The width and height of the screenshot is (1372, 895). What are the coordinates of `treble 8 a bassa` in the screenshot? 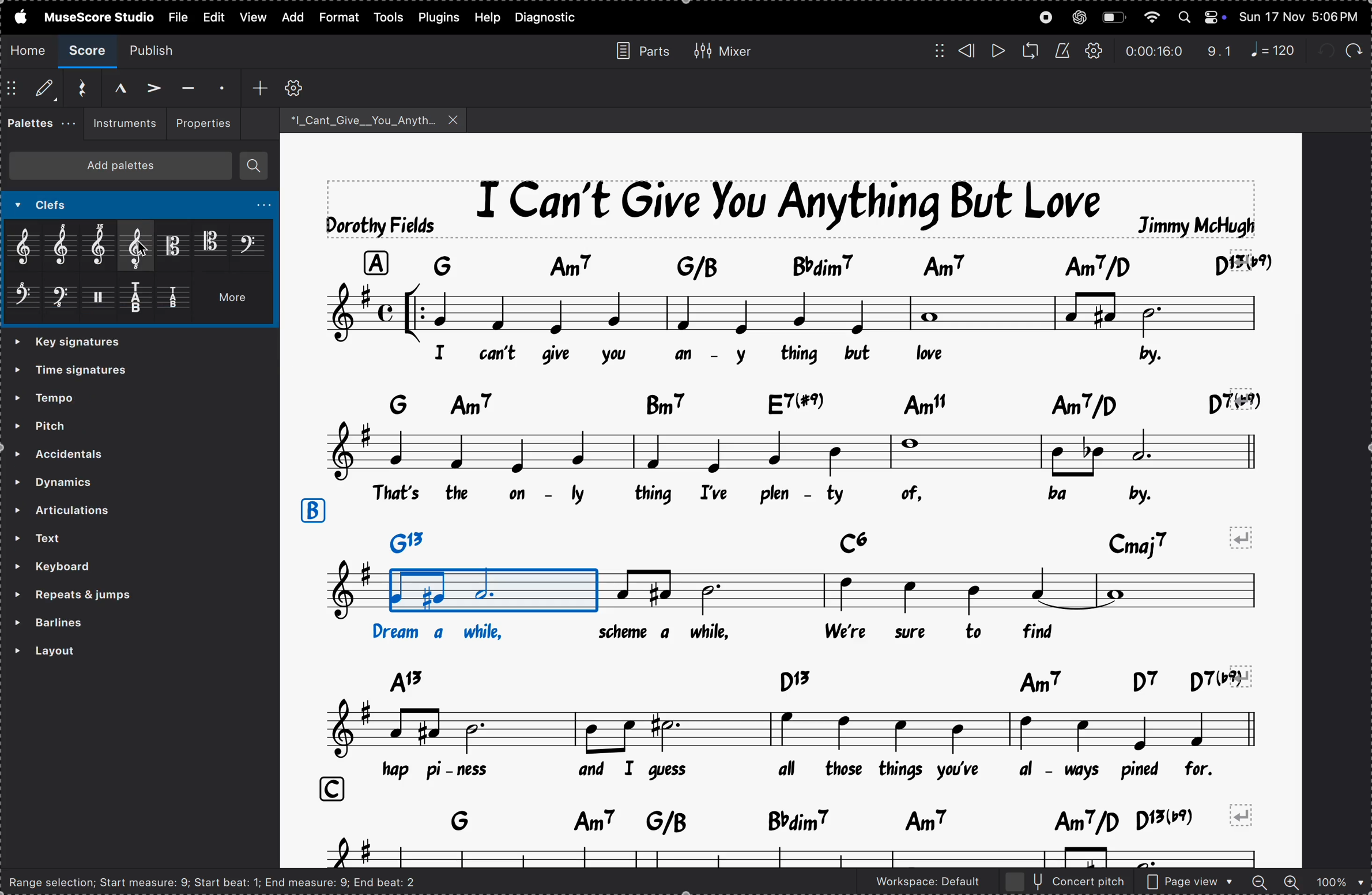 It's located at (138, 246).